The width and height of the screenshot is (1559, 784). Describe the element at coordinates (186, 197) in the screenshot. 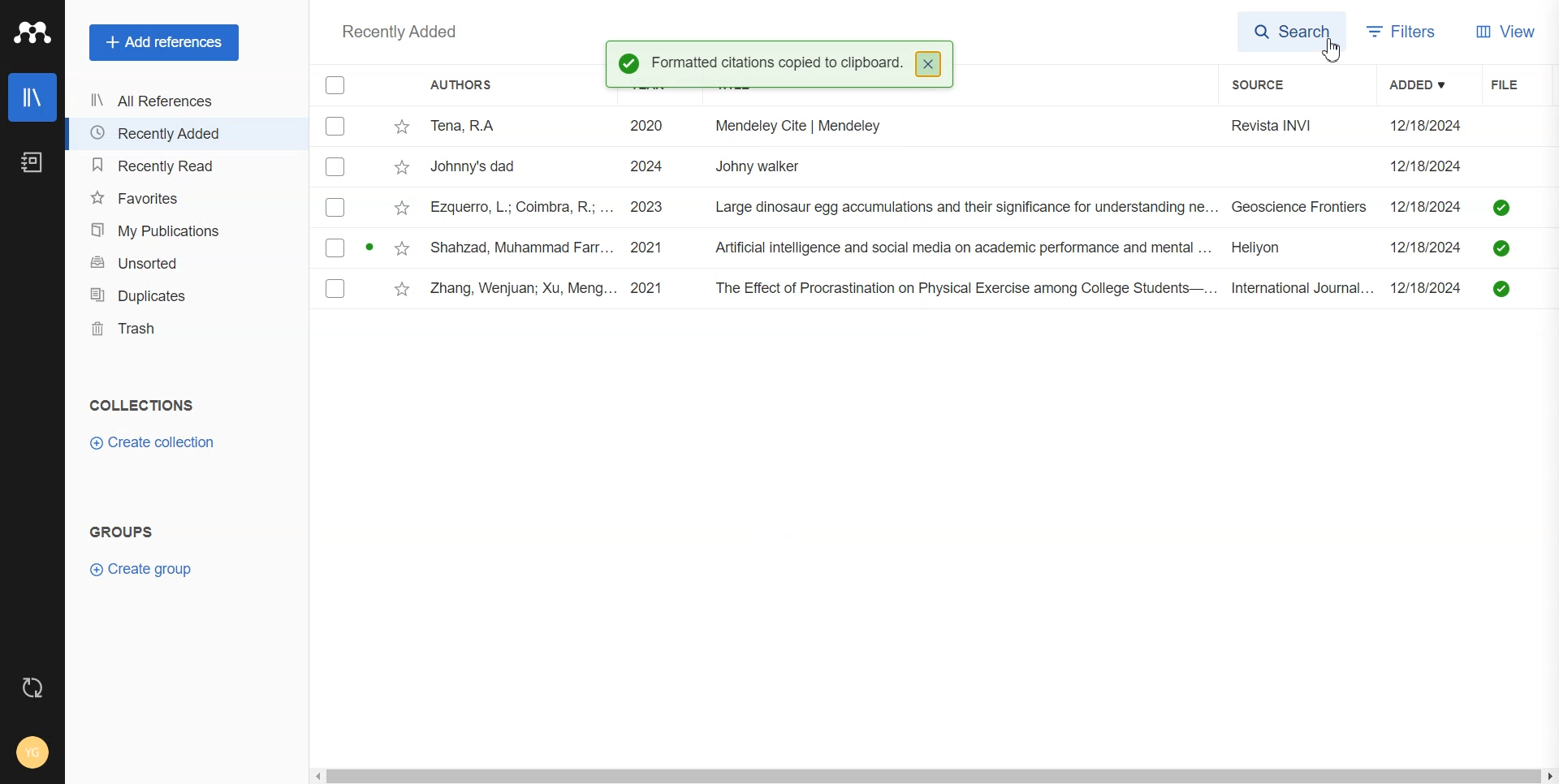

I see `Favorites` at that location.